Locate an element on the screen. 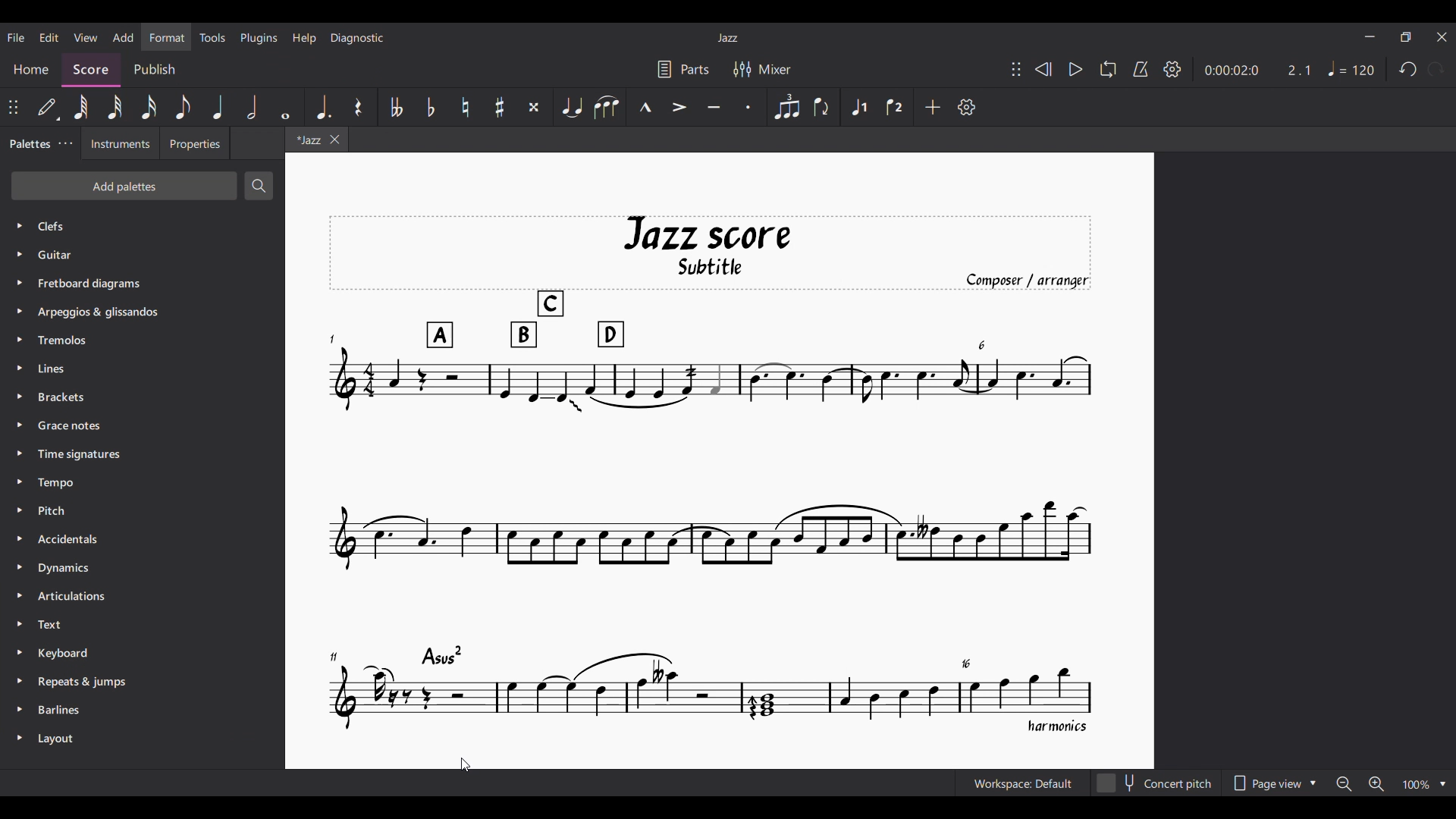 This screenshot has width=1456, height=819. Staccato is located at coordinates (749, 107).